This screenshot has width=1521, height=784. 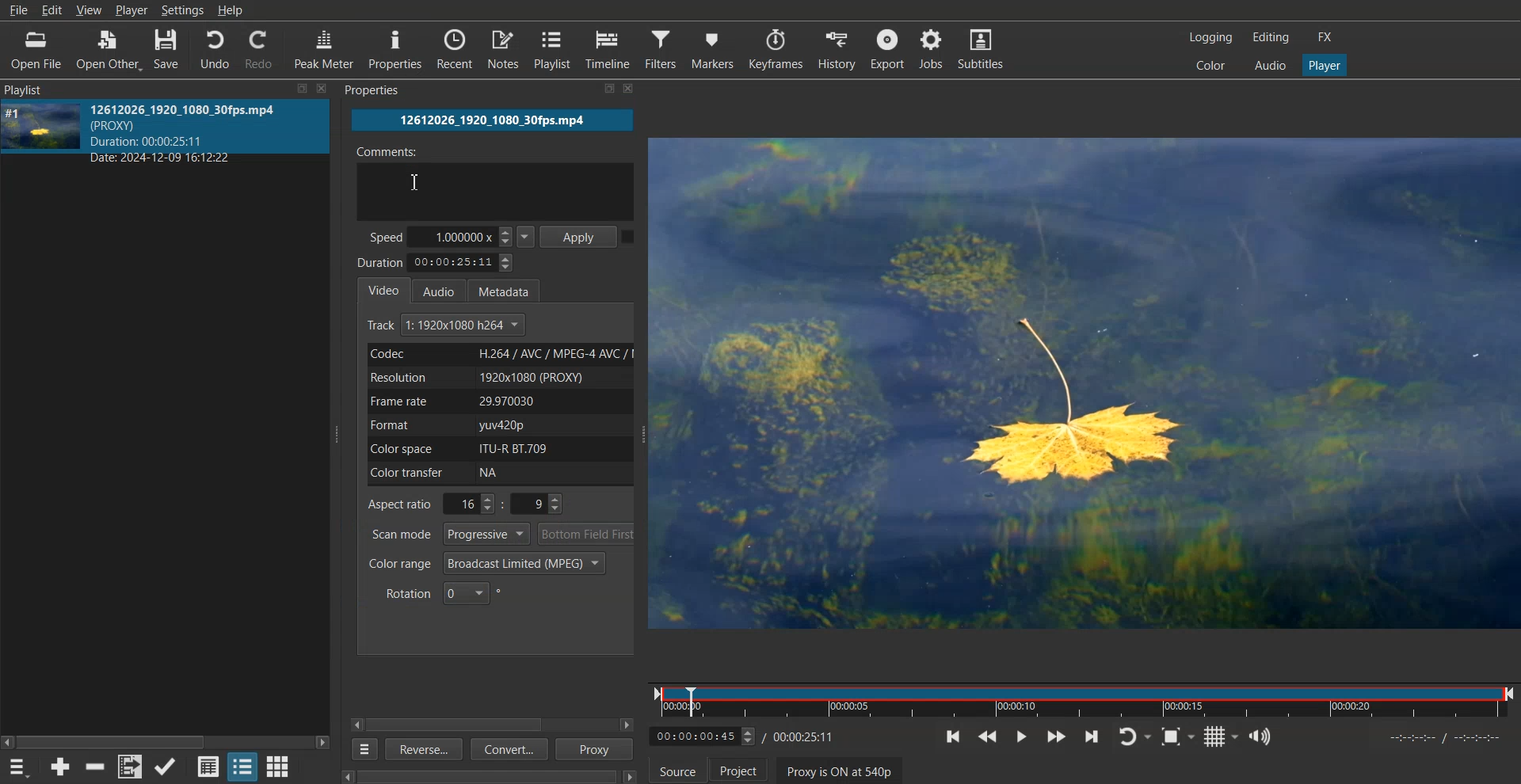 I want to click on Player one, so click(x=1323, y=63).